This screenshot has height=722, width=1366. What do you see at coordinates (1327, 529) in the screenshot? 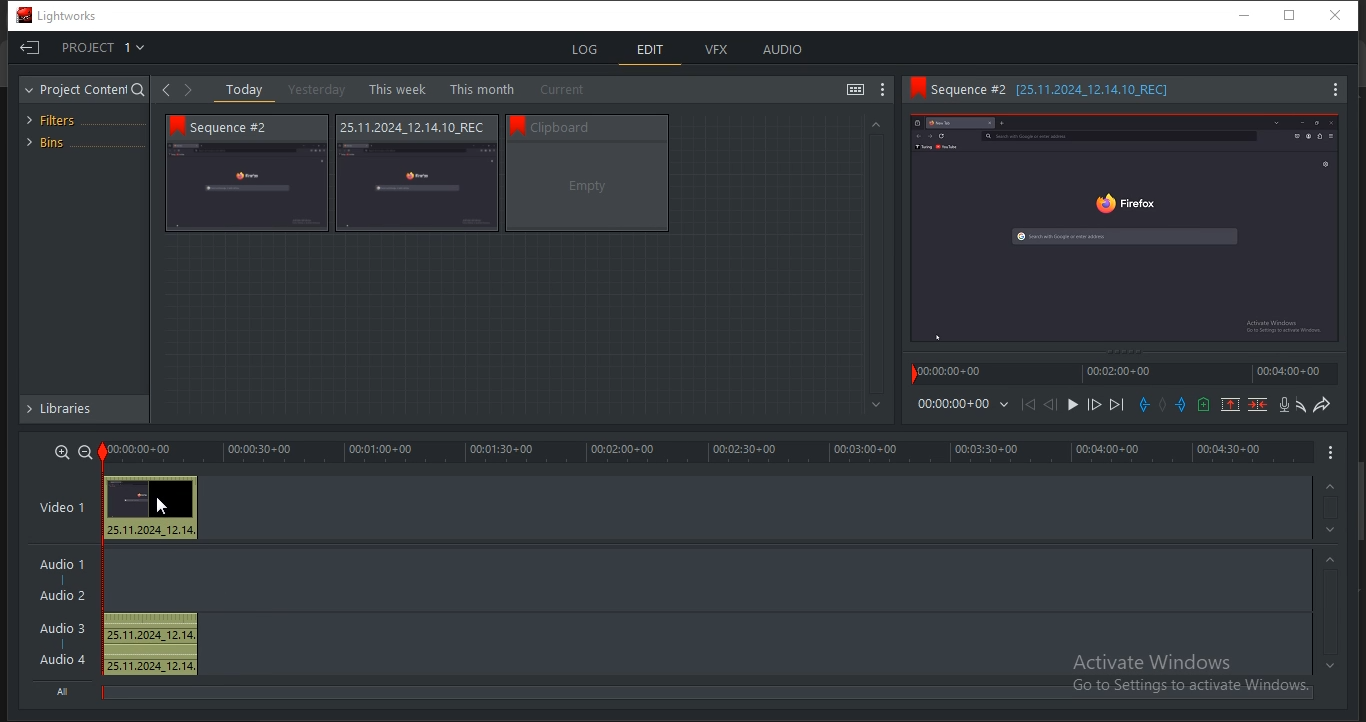
I see `timeline navigation up arrow` at bounding box center [1327, 529].